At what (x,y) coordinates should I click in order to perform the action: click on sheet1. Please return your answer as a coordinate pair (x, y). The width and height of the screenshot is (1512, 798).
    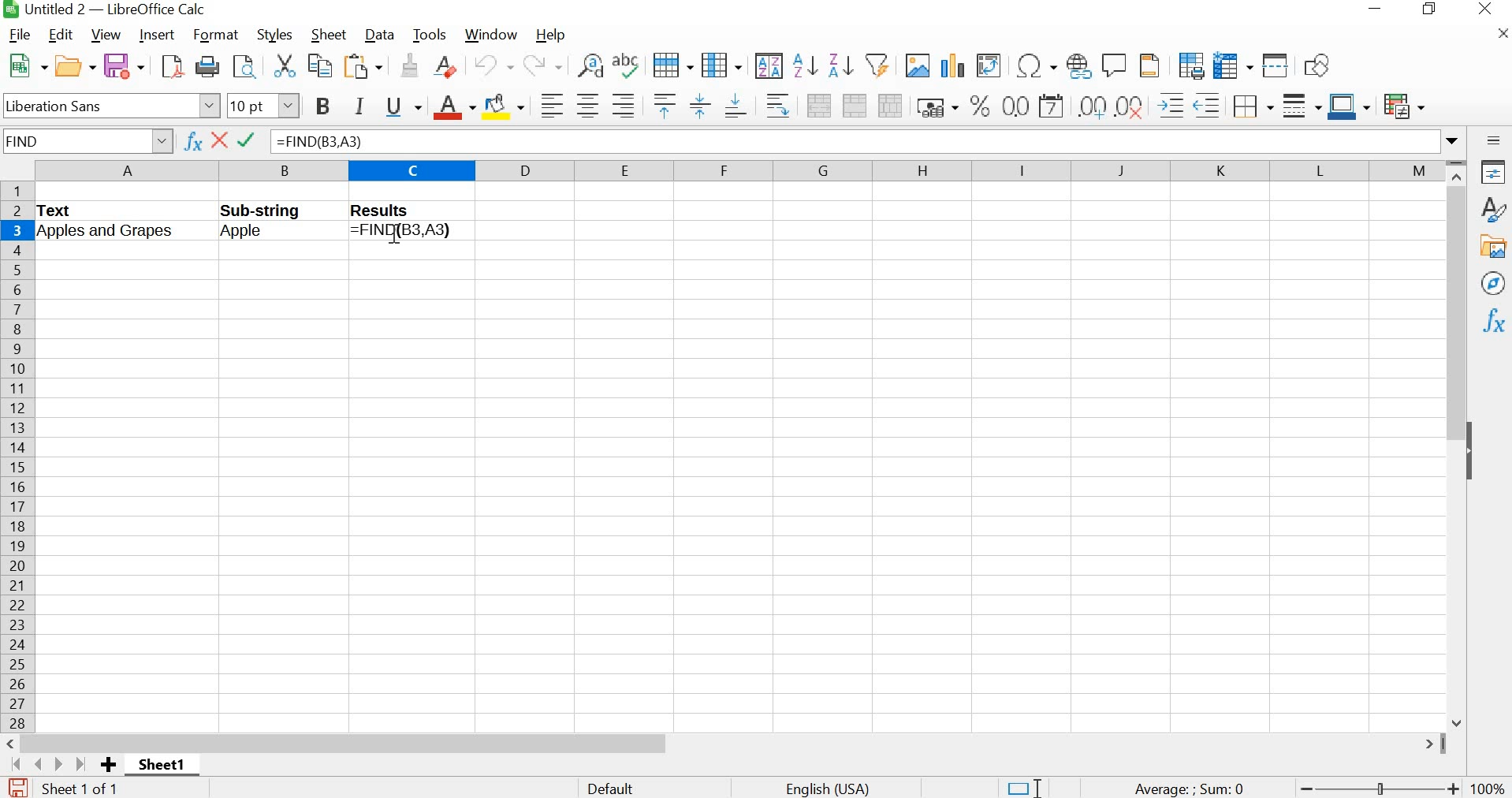
    Looking at the image, I should click on (161, 766).